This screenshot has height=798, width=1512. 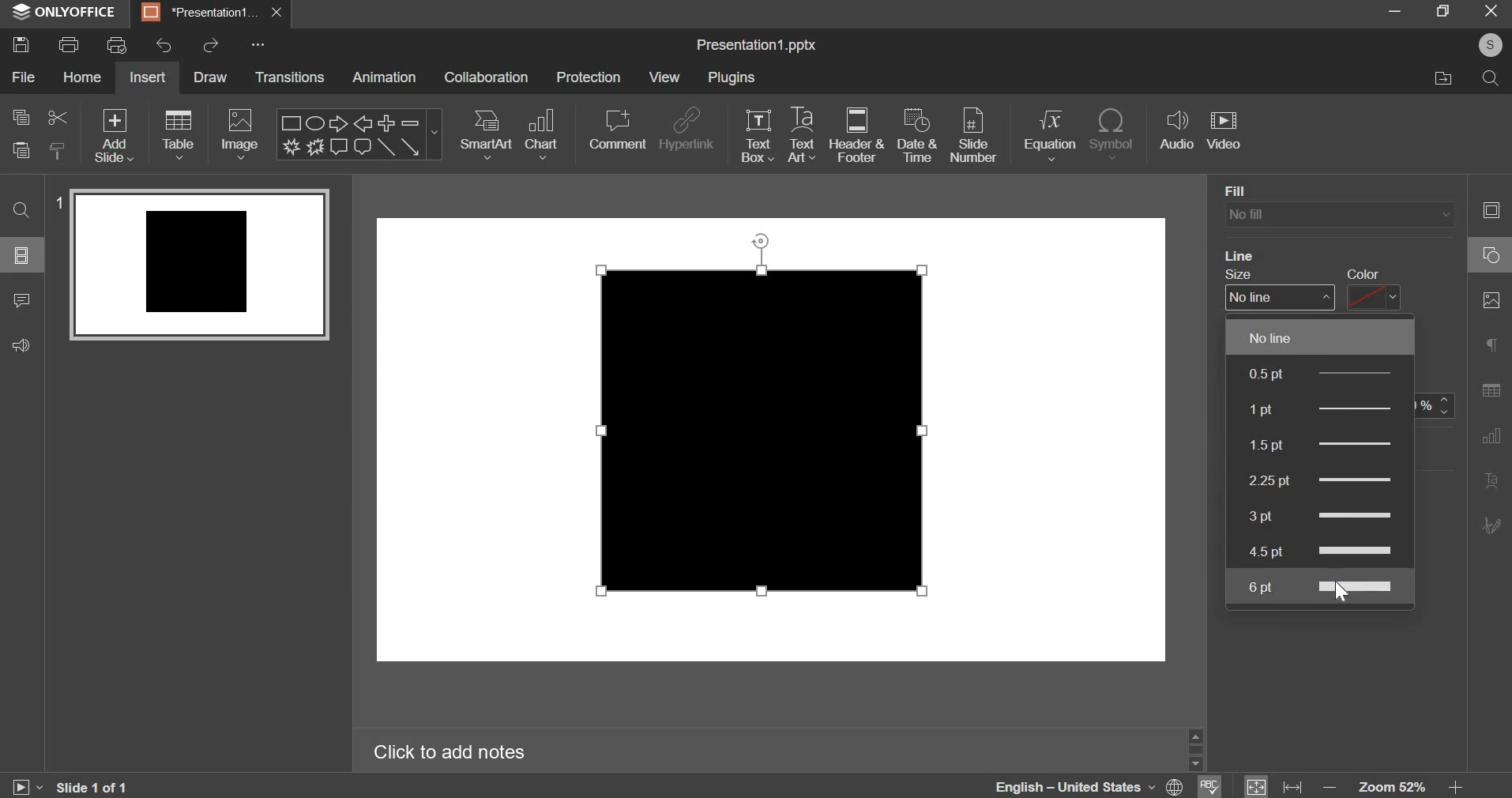 I want to click on More , so click(x=261, y=46).